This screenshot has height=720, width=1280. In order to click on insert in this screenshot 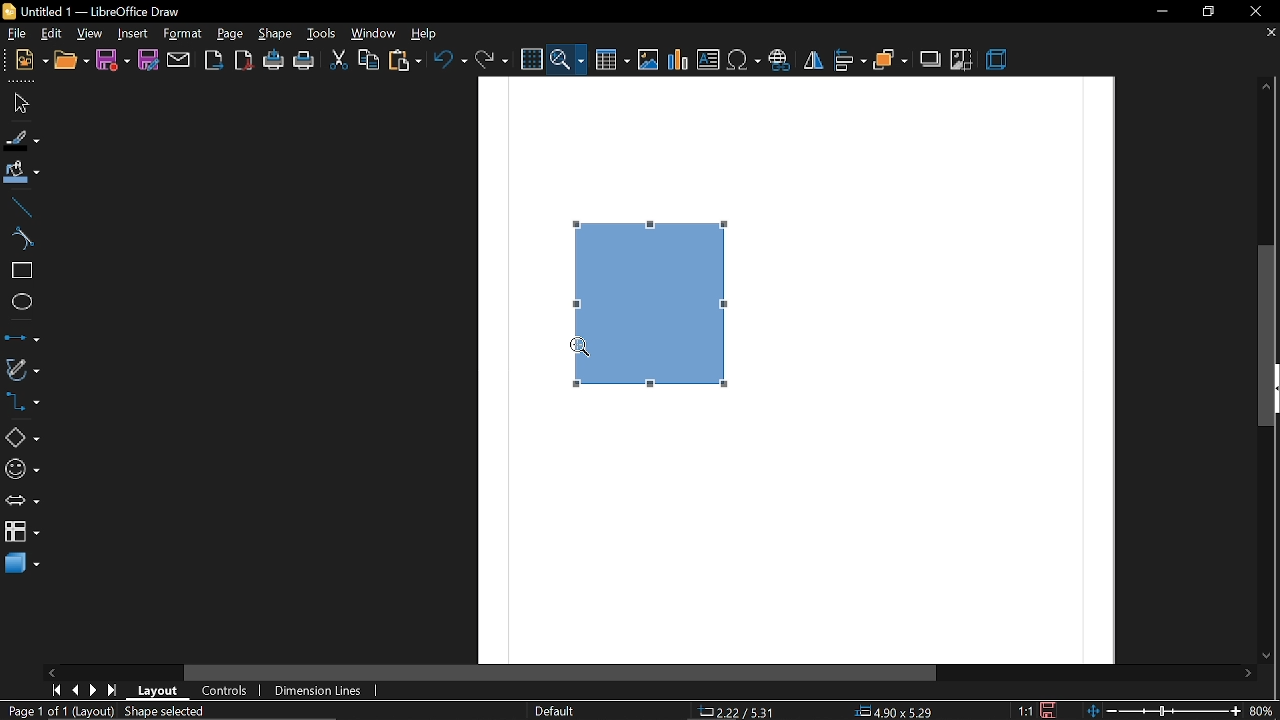, I will do `click(134, 33)`.